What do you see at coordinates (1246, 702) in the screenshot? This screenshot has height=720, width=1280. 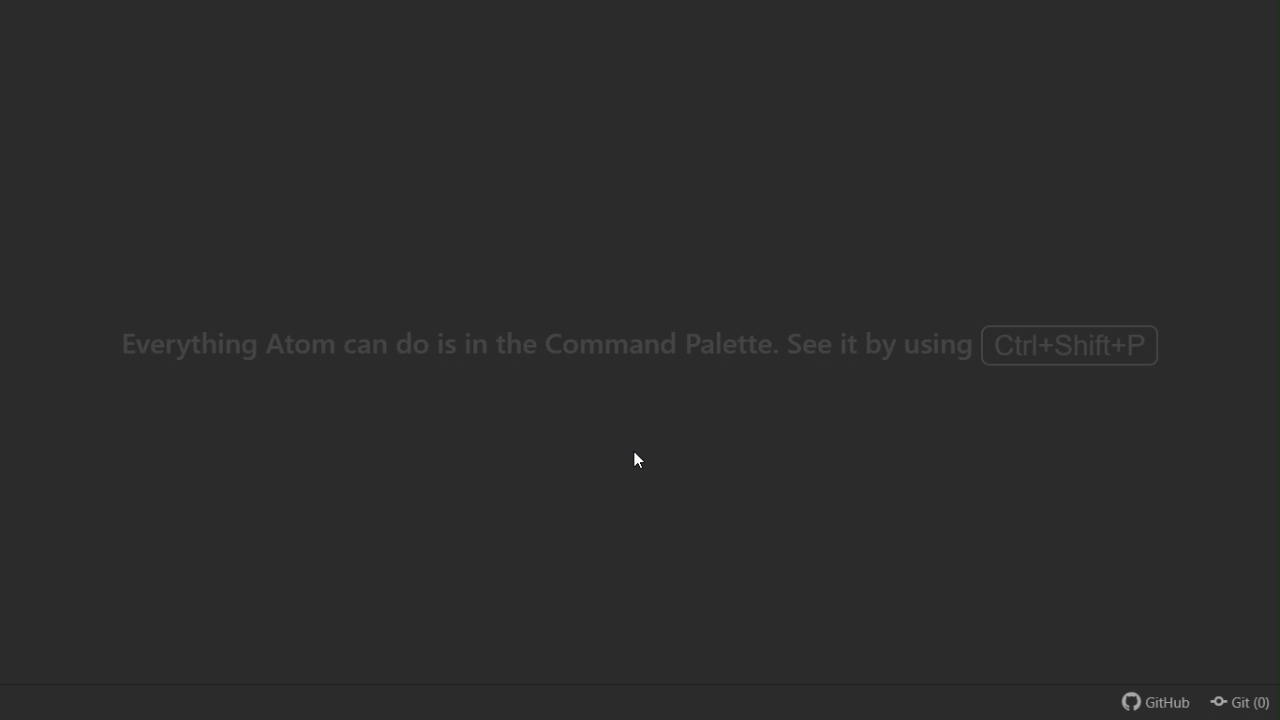 I see `git ` at bounding box center [1246, 702].